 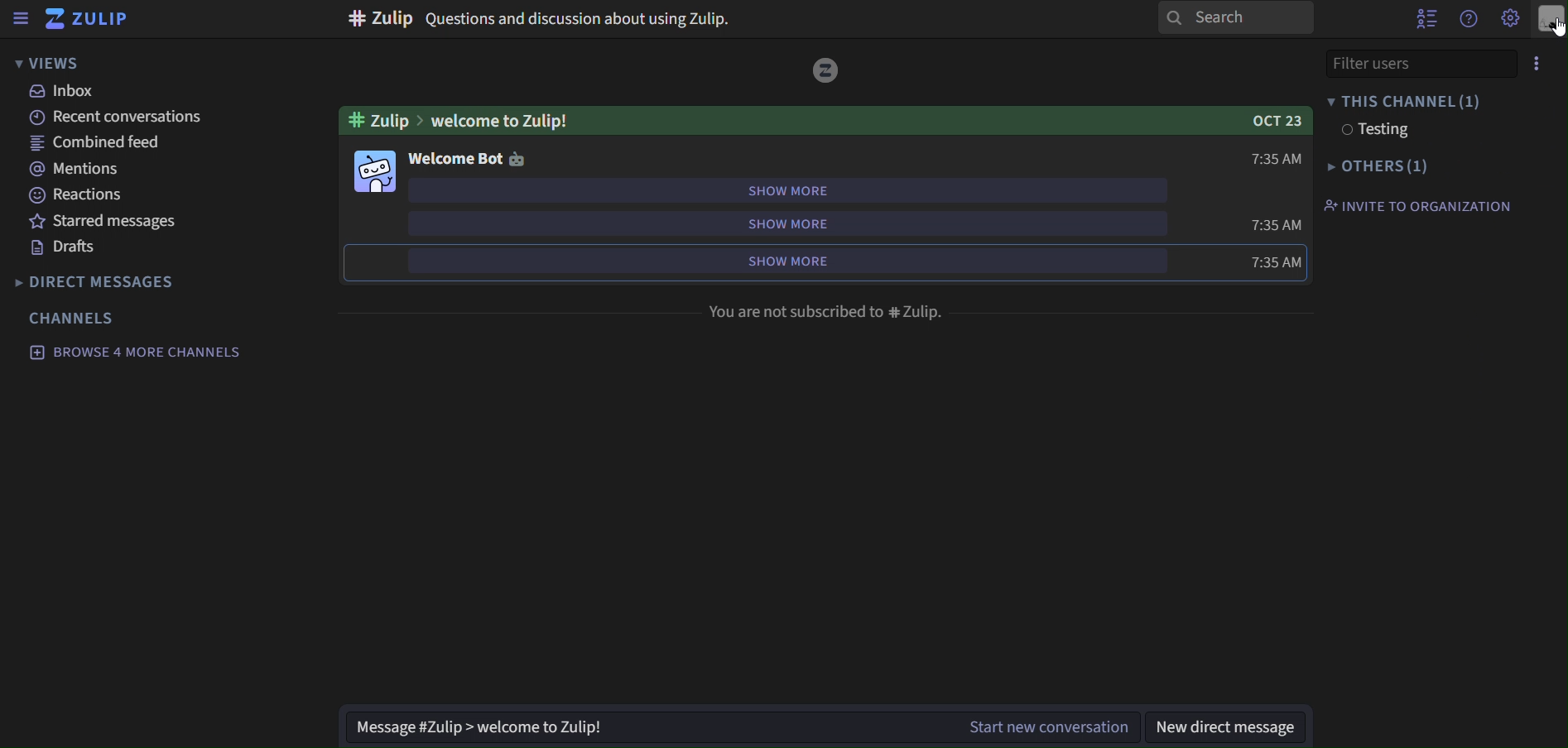 I want to click on recent conversations, so click(x=112, y=117).